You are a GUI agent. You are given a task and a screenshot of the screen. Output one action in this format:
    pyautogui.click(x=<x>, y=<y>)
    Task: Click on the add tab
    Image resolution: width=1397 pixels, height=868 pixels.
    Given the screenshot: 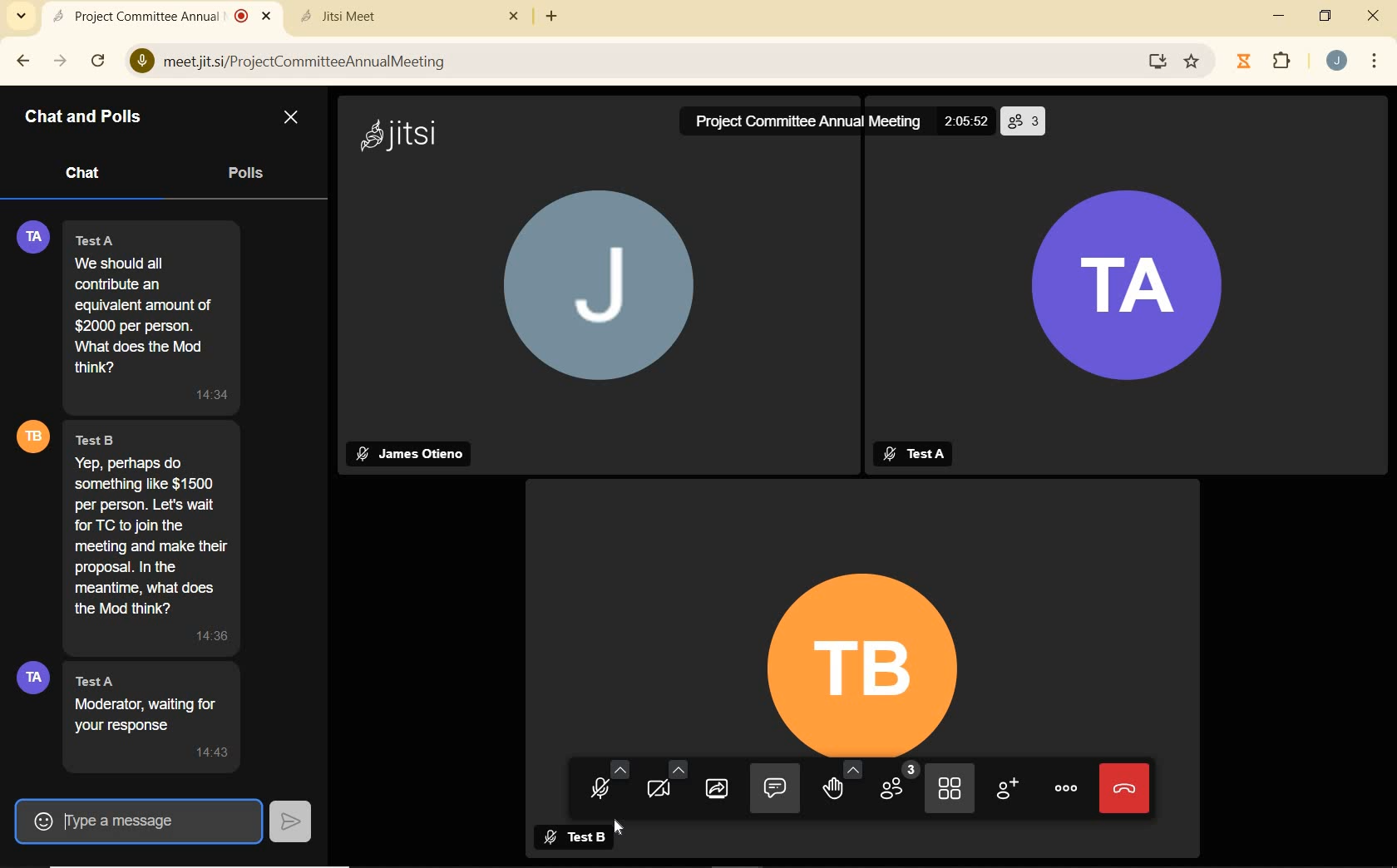 What is the action you would take?
    pyautogui.click(x=552, y=17)
    